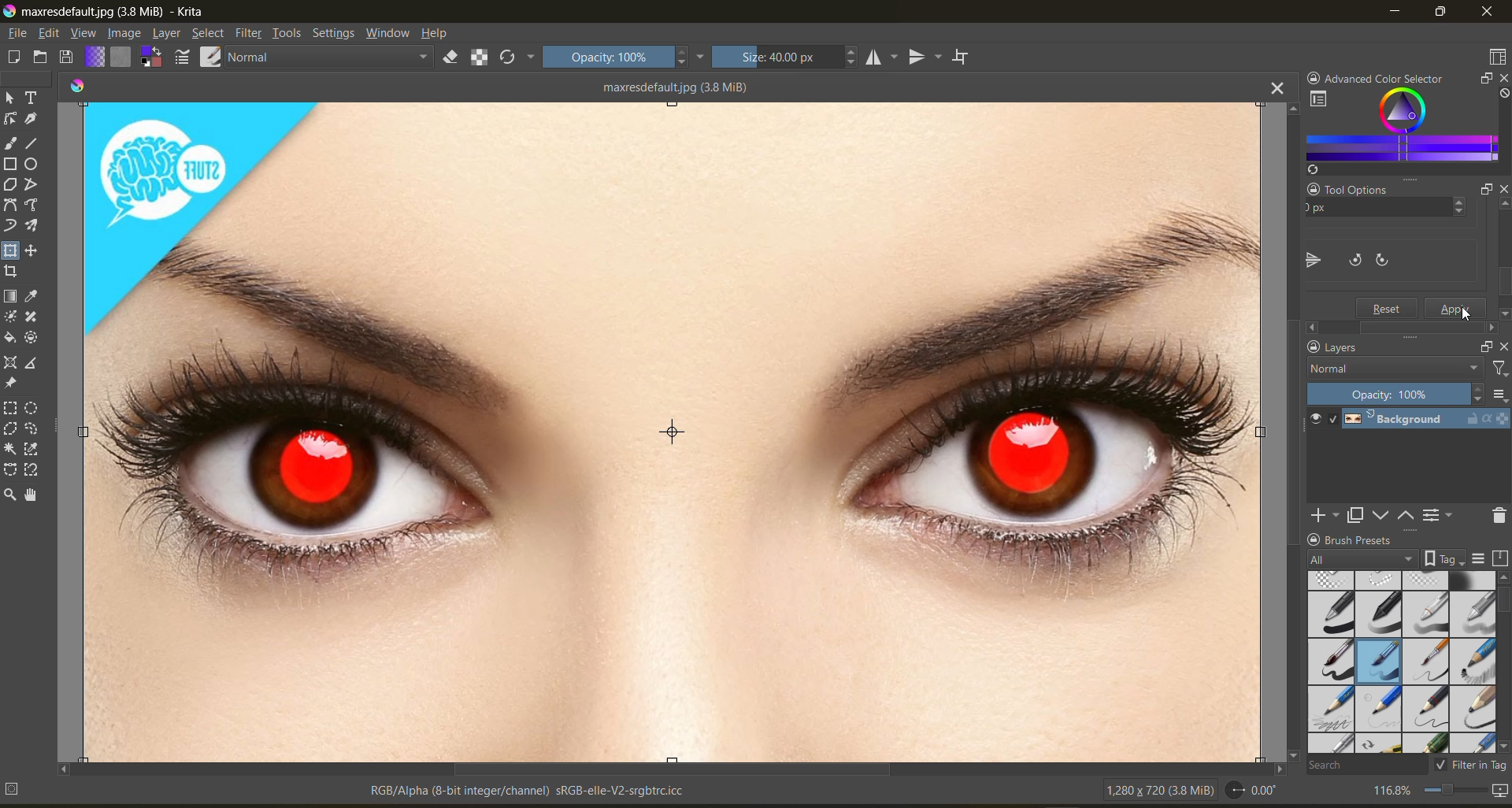 Image resolution: width=1512 pixels, height=808 pixels. Describe the element at coordinates (153, 57) in the screenshot. I see `swap foreground and background color` at that location.